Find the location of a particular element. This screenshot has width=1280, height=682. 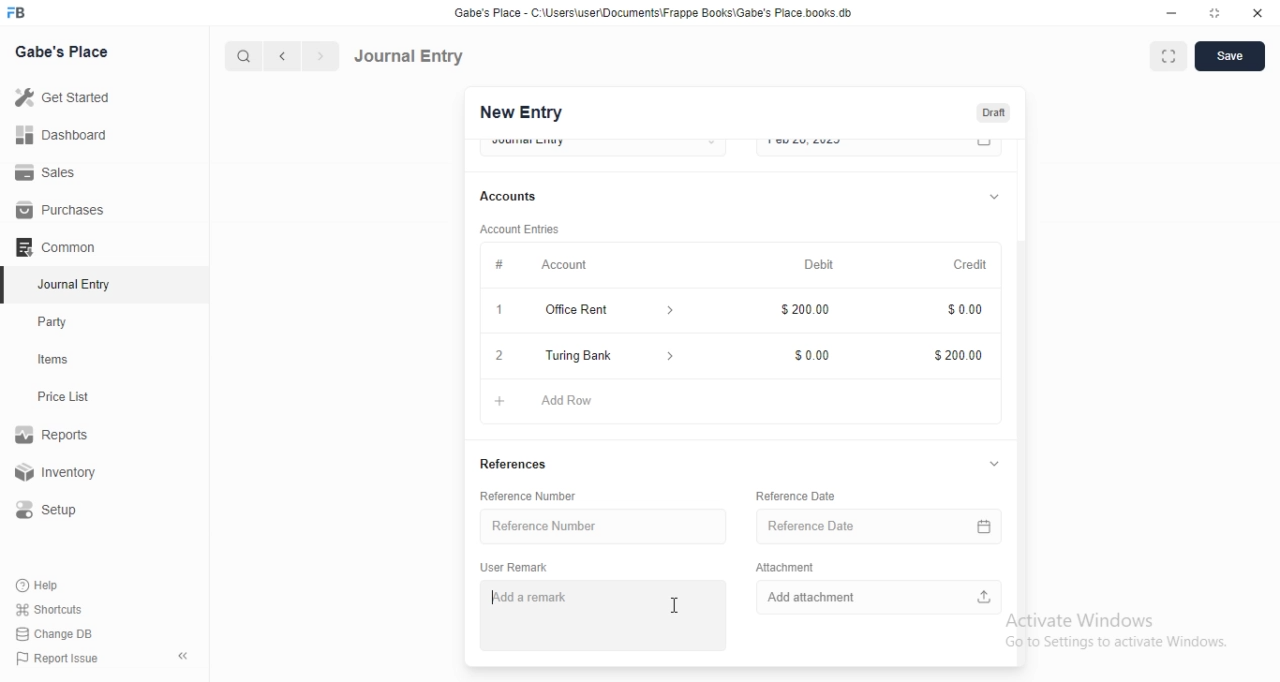

minimize is located at coordinates (1170, 12).